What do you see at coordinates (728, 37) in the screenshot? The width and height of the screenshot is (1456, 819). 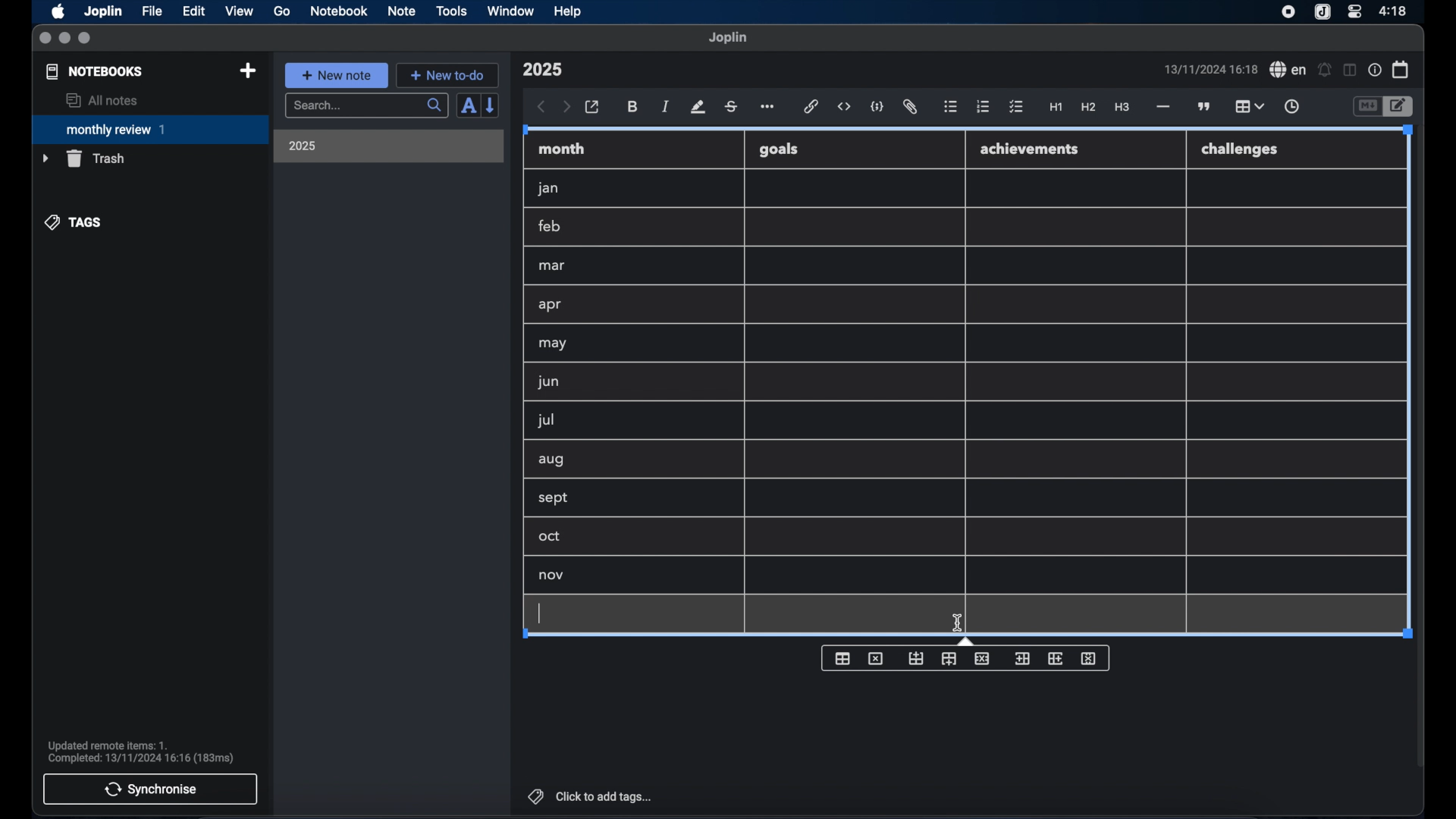 I see `joplin` at bounding box center [728, 37].